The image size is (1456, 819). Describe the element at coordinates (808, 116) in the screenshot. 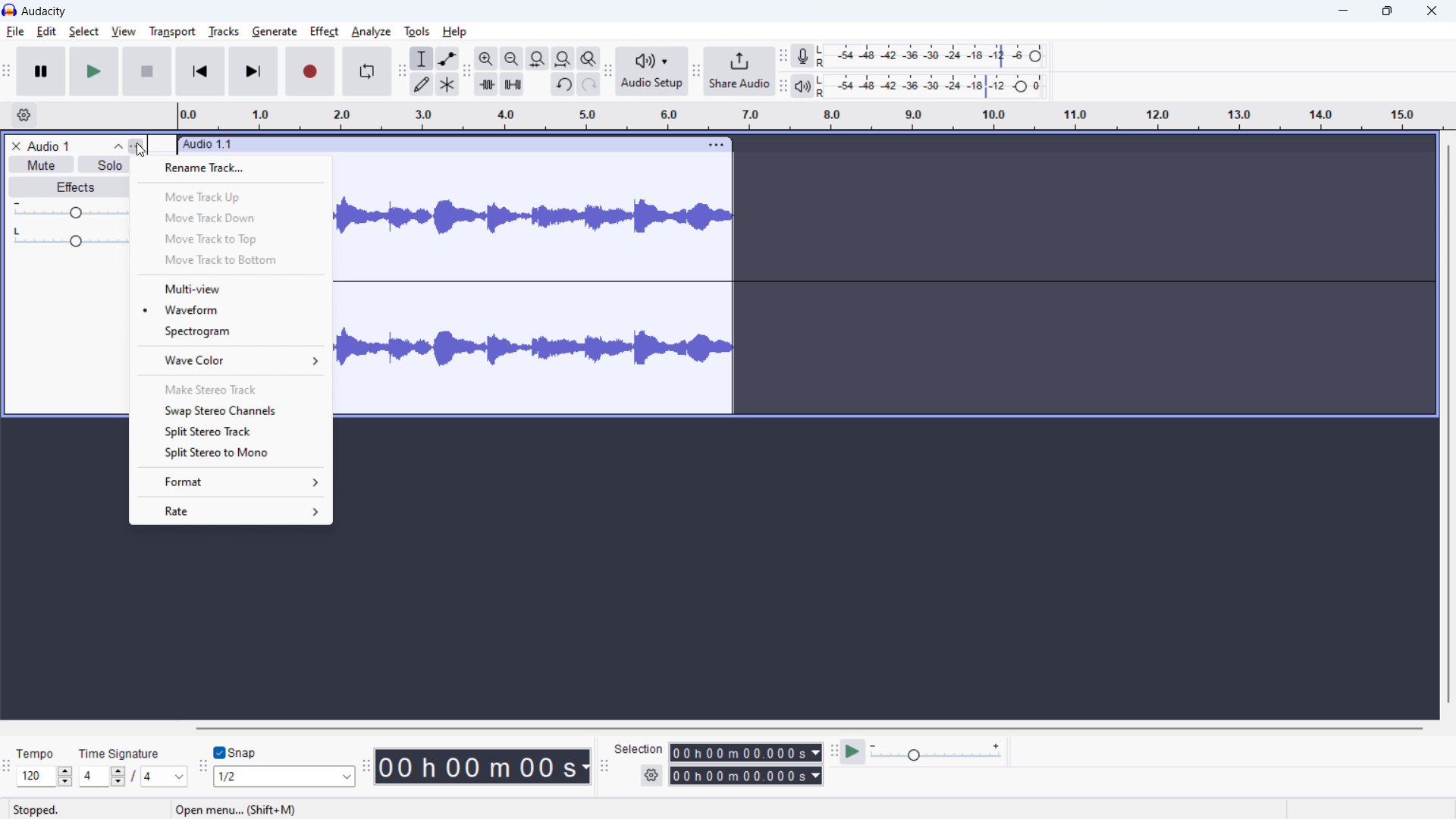

I see `timeline` at that location.